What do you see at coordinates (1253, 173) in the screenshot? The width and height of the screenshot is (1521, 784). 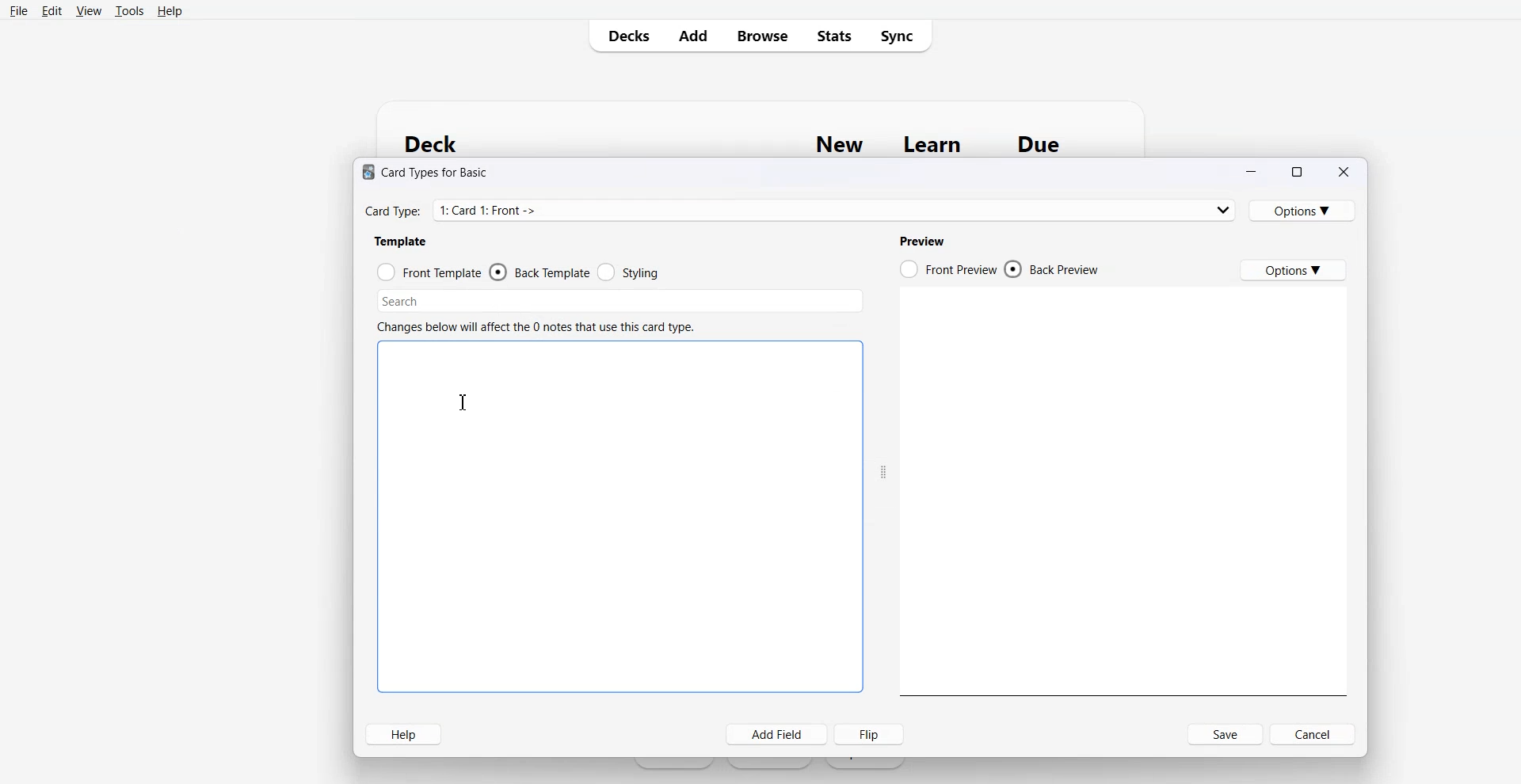 I see `Minimize` at bounding box center [1253, 173].